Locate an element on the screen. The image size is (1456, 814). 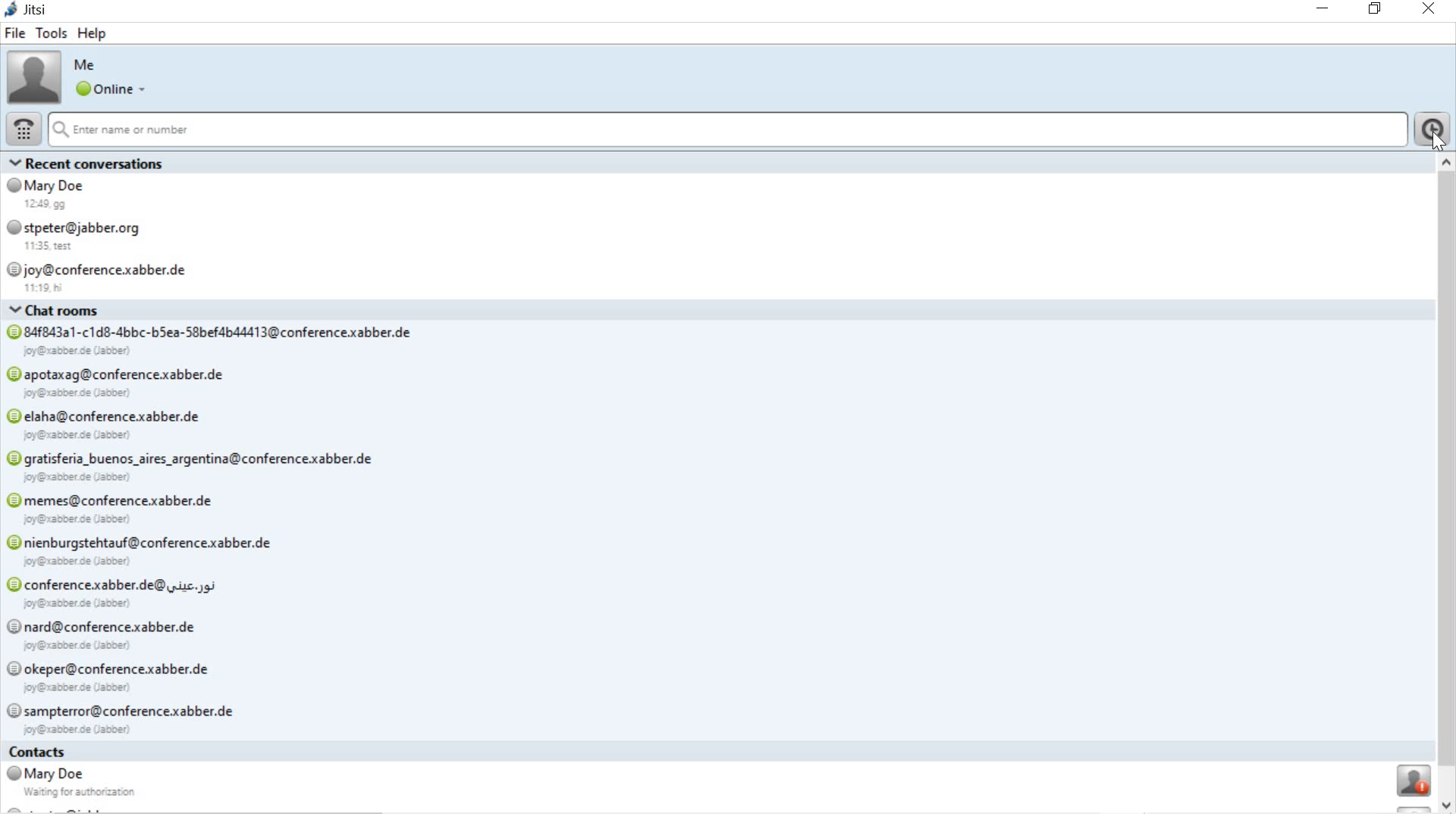
Account name is located at coordinates (85, 64).